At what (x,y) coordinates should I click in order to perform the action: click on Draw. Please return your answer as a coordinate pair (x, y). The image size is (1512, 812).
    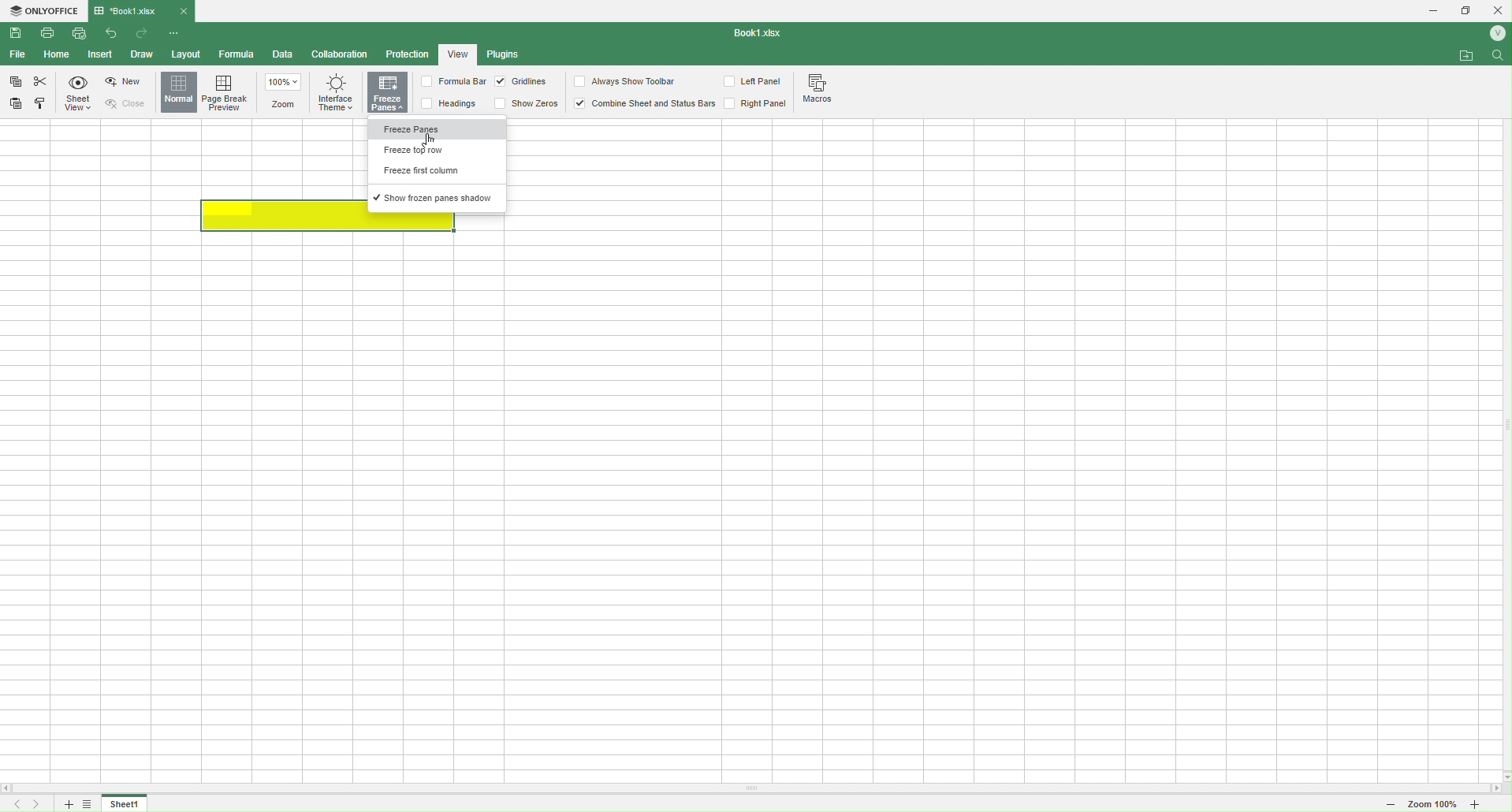
    Looking at the image, I should click on (141, 54).